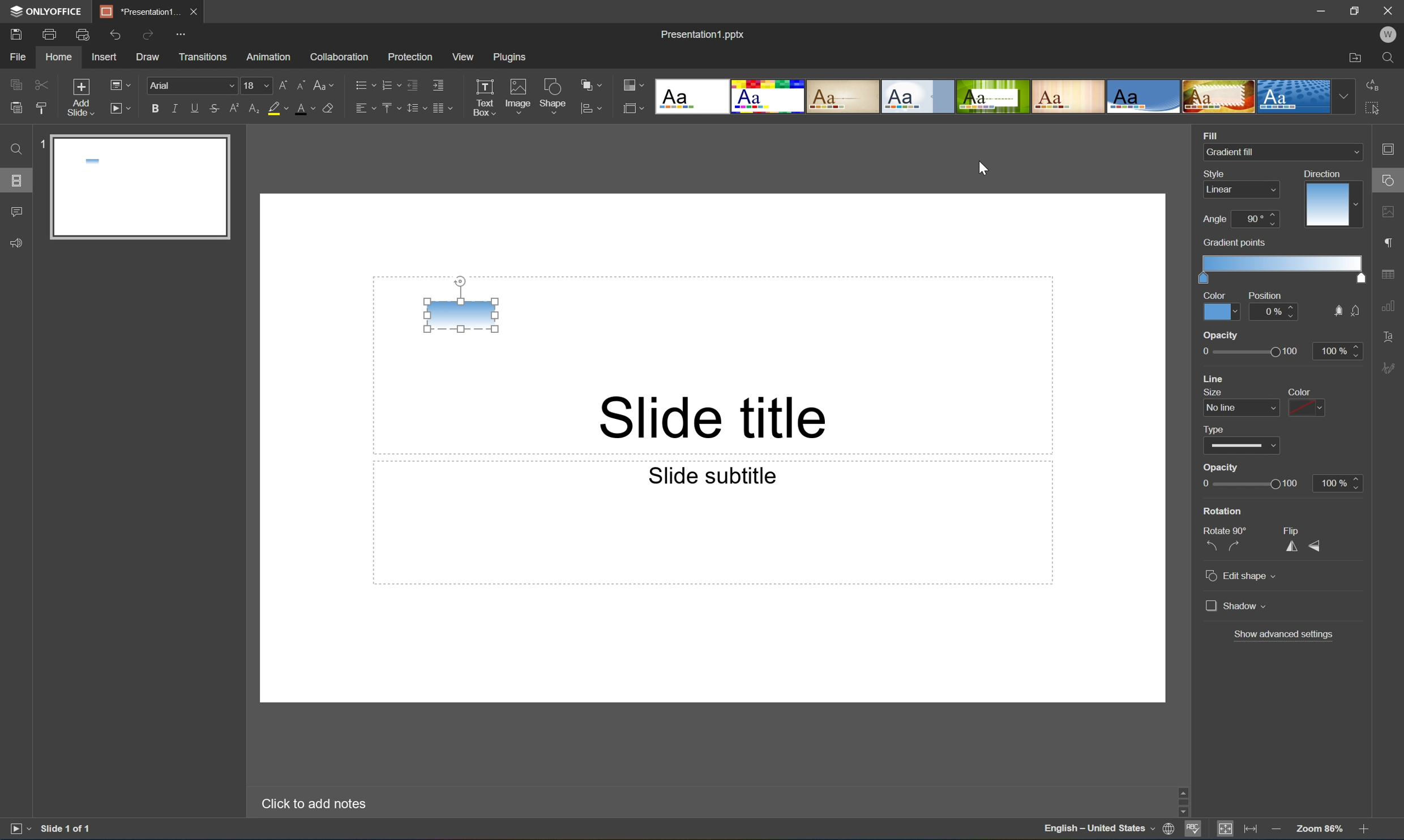  What do you see at coordinates (44, 11) in the screenshot?
I see `ONYOFFICE` at bounding box center [44, 11].